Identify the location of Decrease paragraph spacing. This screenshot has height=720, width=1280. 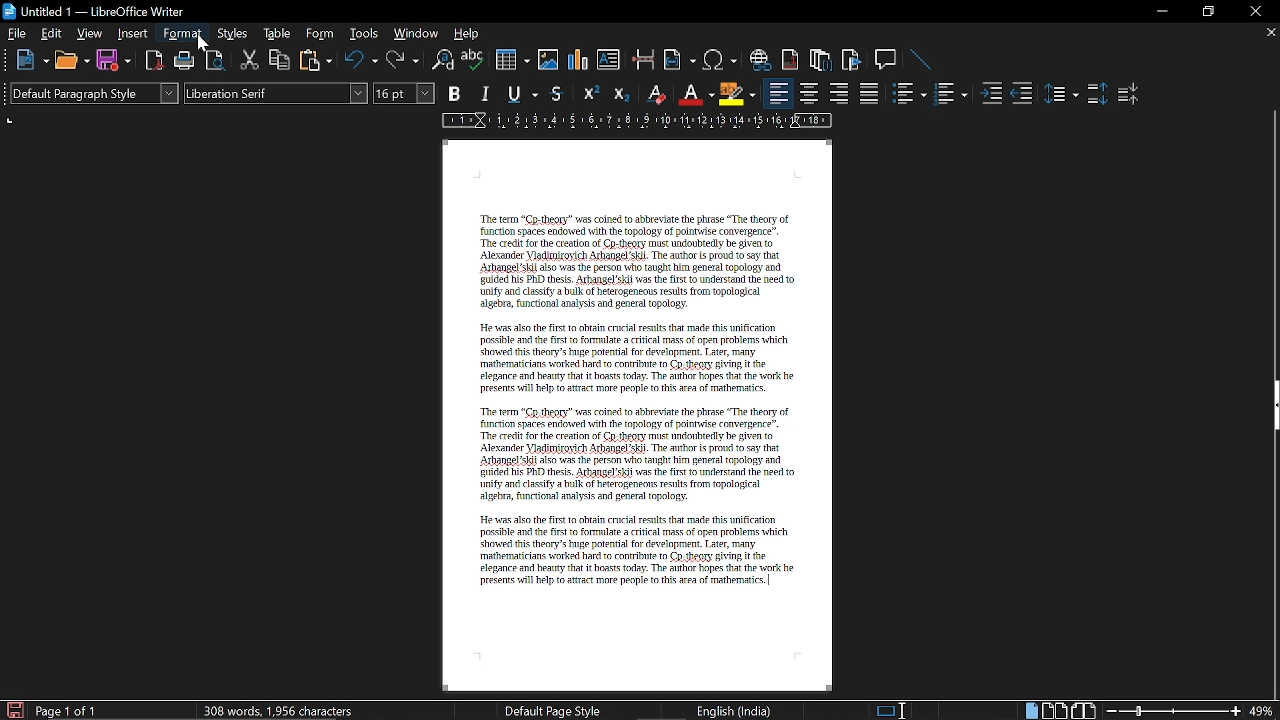
(1128, 93).